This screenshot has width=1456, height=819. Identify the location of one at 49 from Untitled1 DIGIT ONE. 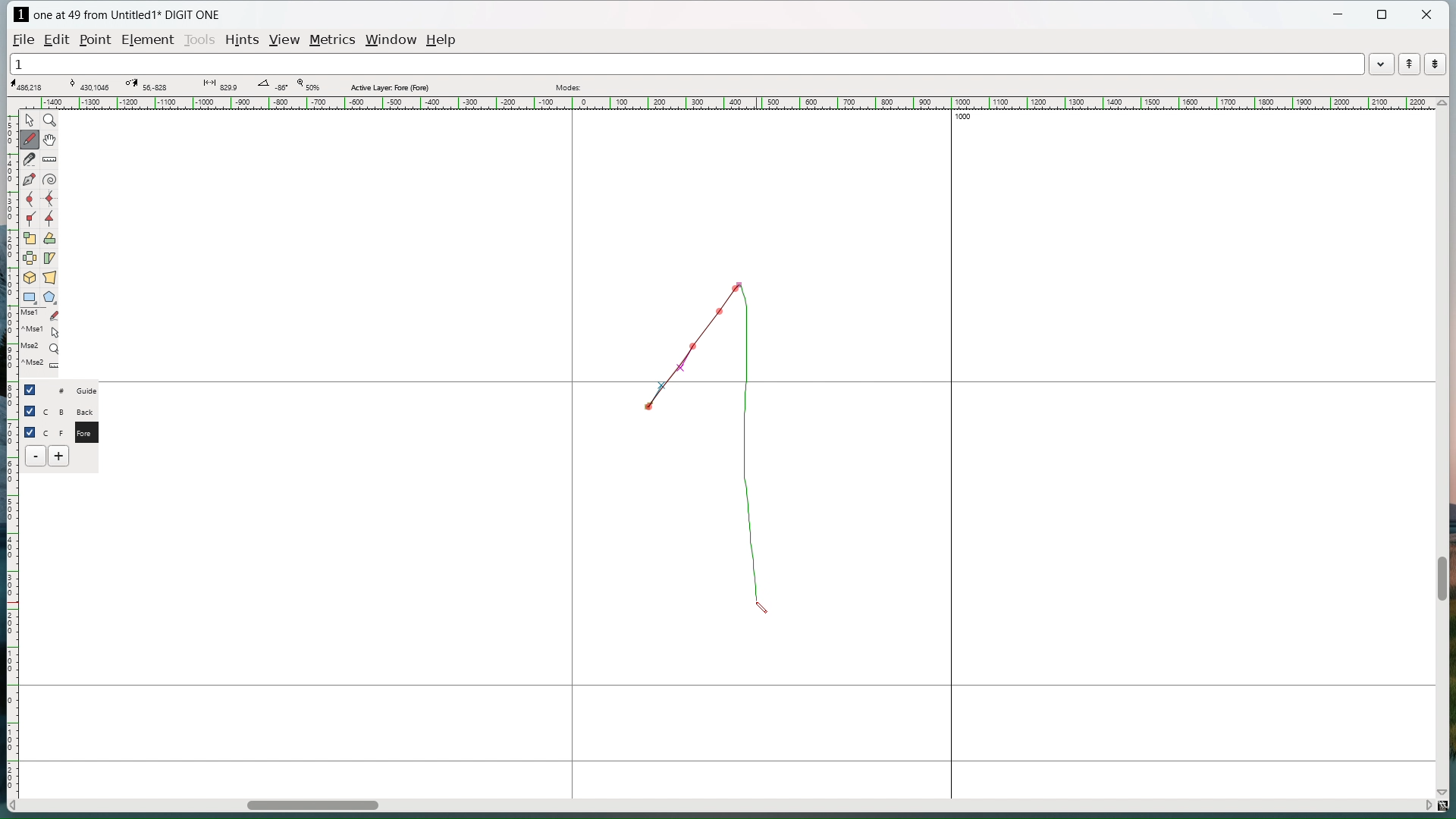
(126, 15).